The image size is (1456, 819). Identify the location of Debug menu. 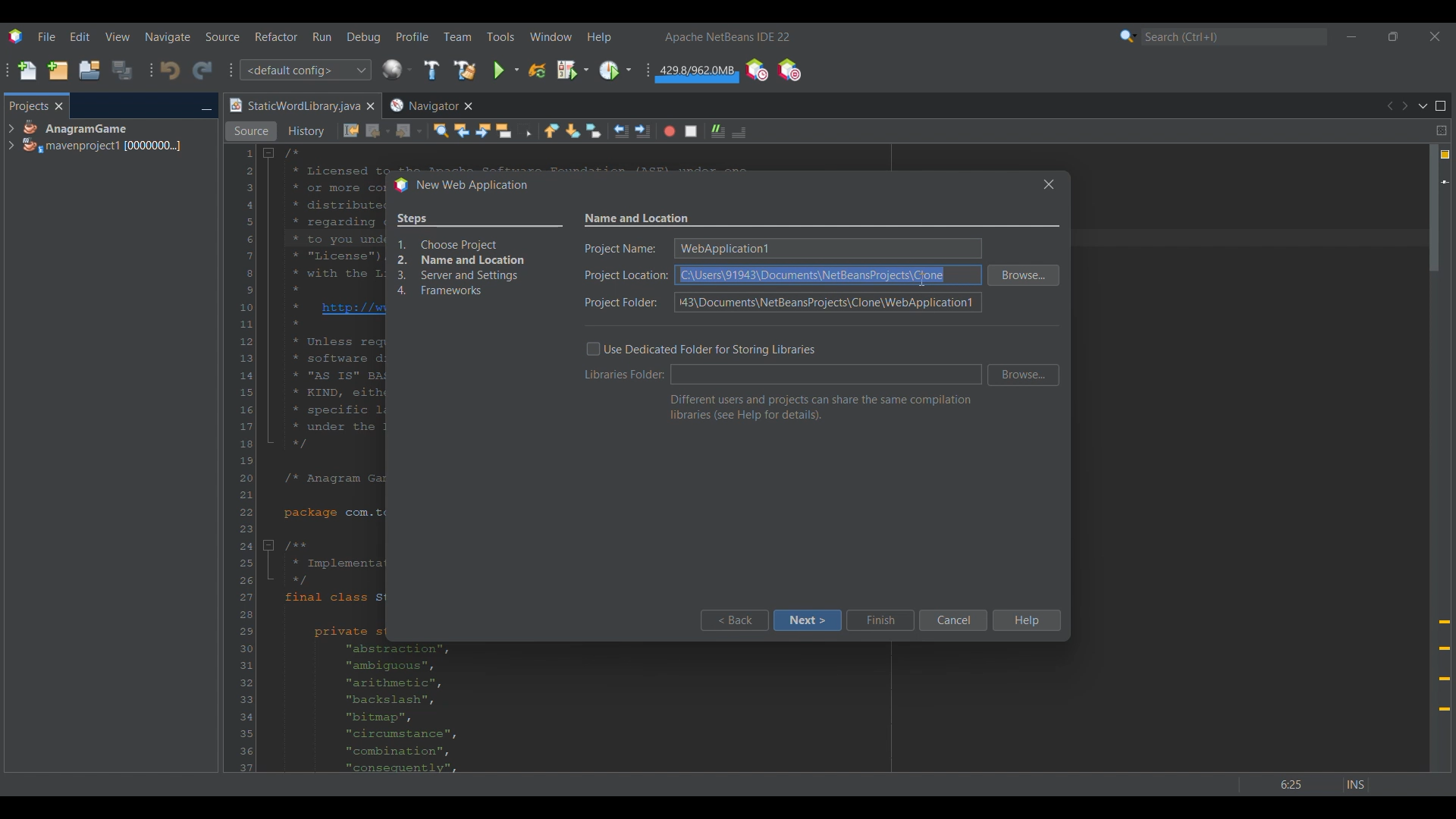
(364, 37).